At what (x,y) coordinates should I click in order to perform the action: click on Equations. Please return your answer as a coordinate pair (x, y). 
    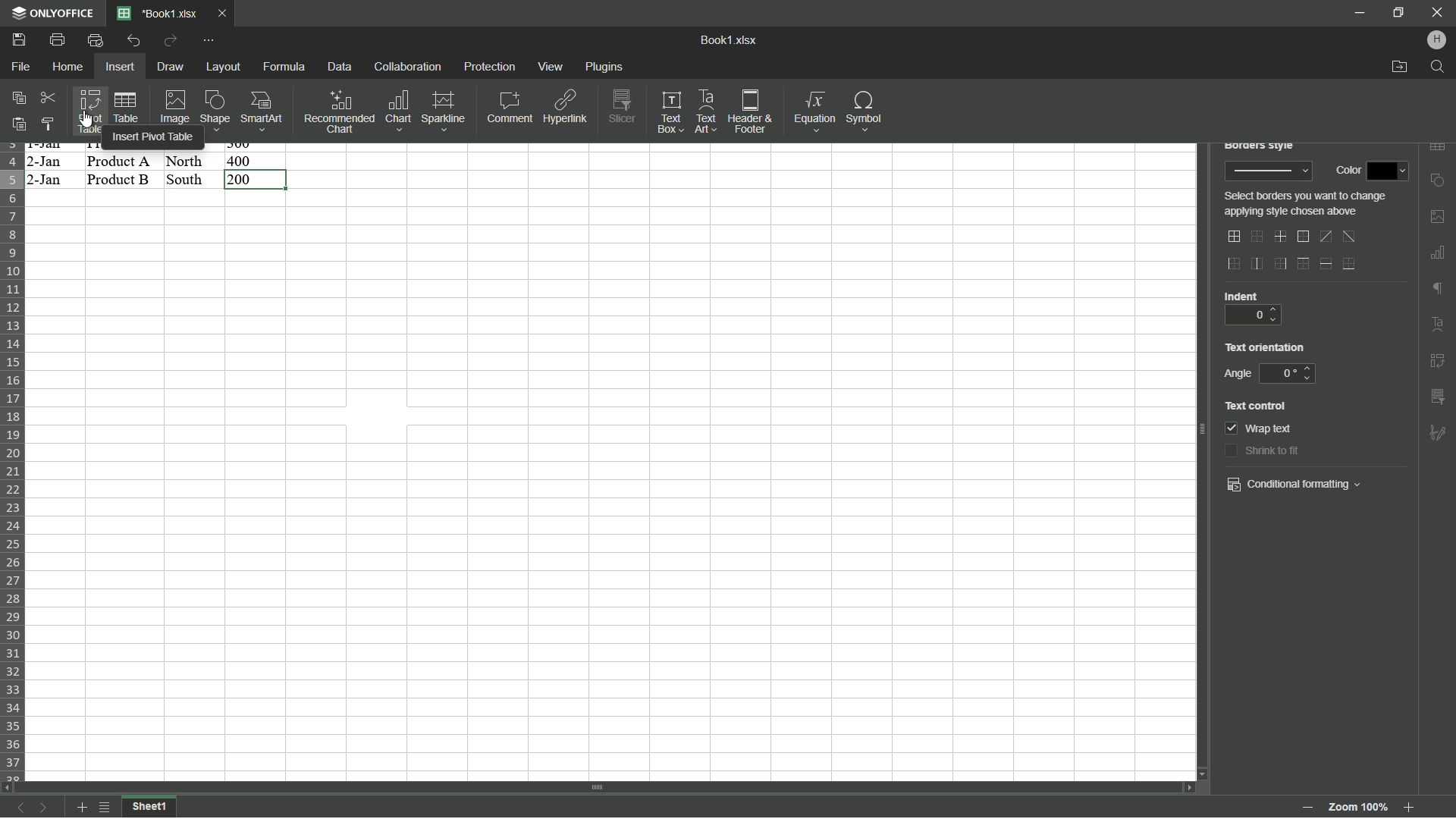
    Looking at the image, I should click on (815, 112).